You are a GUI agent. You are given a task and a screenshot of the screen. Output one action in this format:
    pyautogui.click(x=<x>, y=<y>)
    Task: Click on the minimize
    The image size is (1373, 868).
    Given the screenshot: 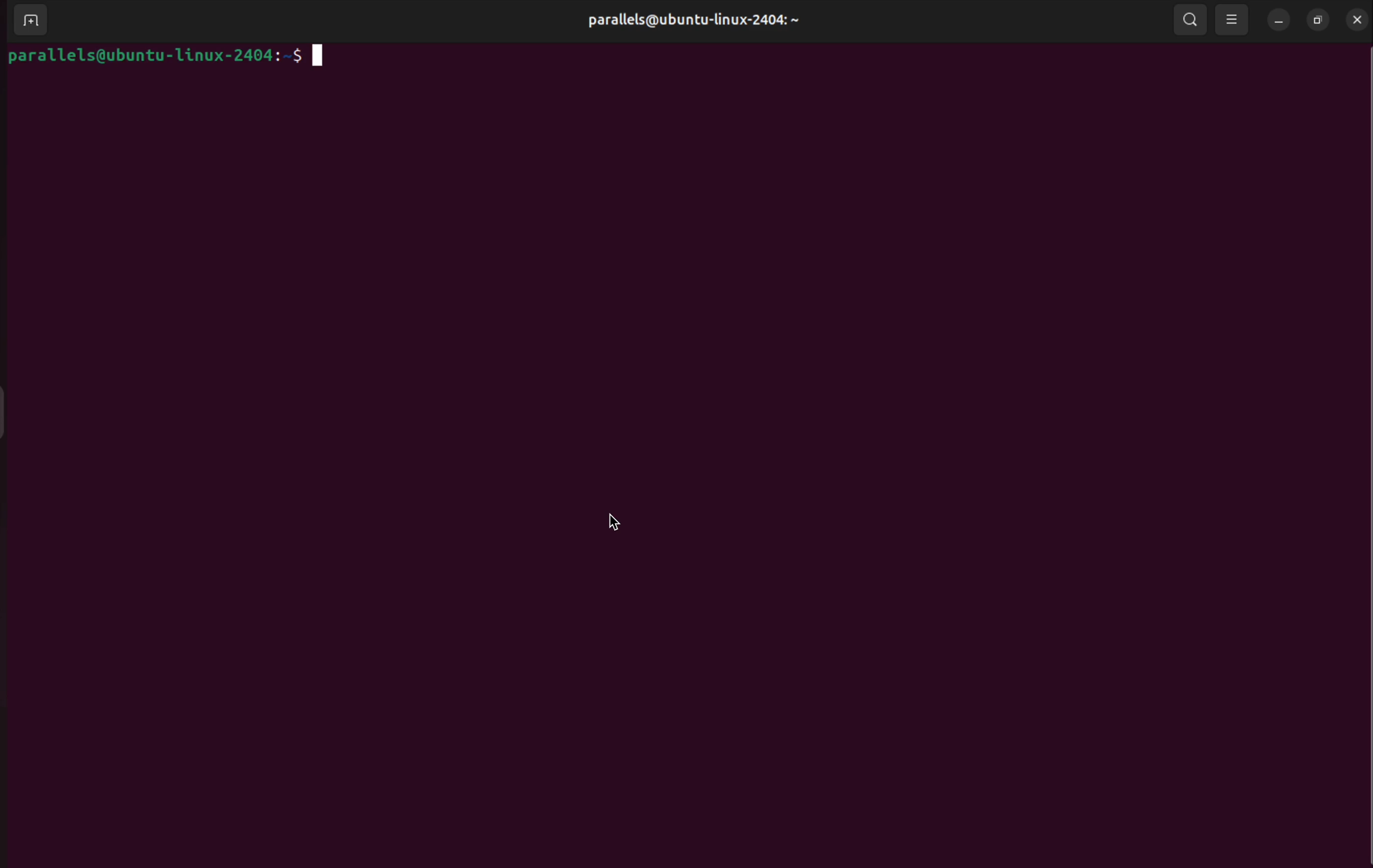 What is the action you would take?
    pyautogui.click(x=1279, y=23)
    